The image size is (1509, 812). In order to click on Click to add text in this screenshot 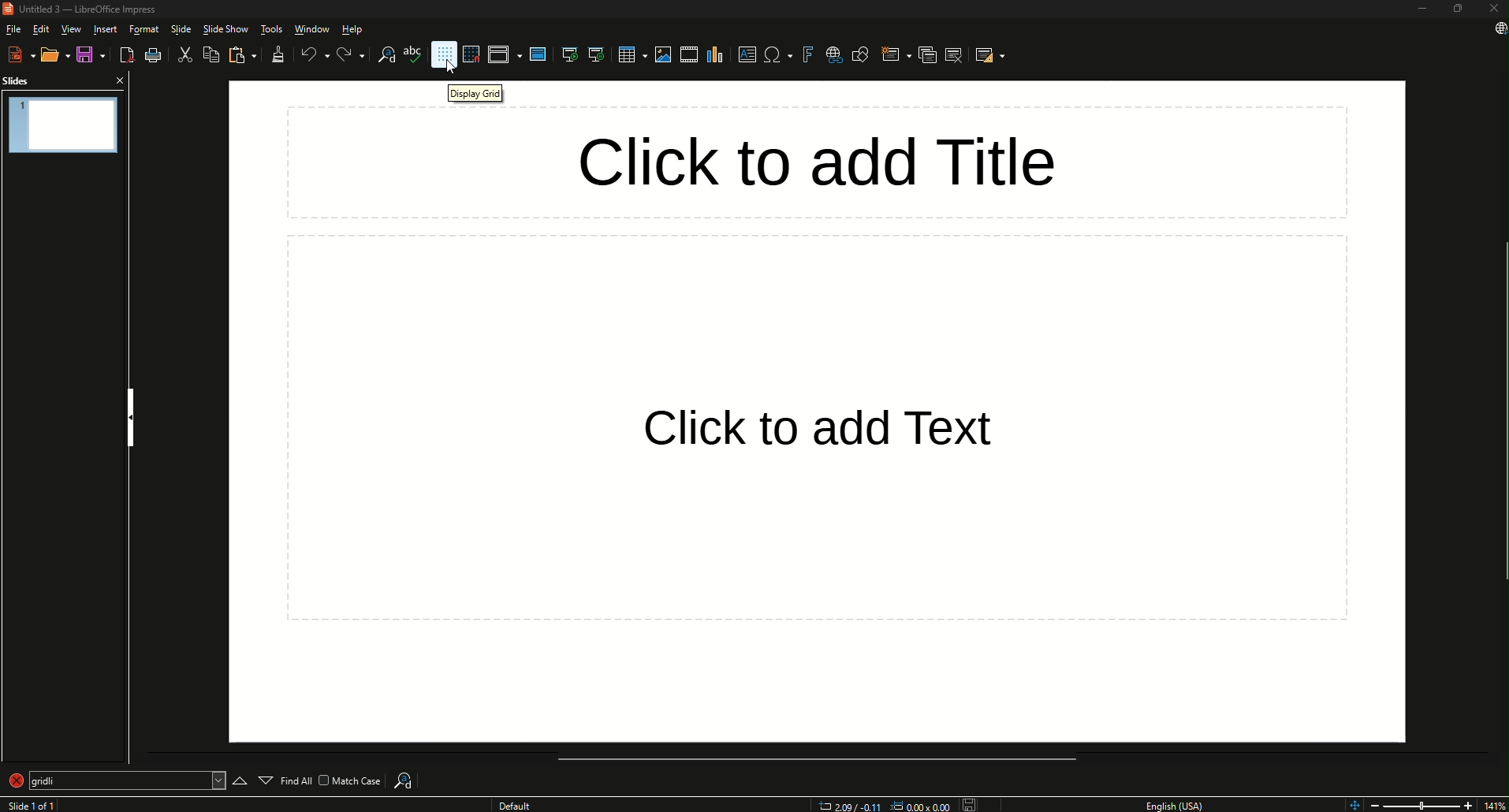, I will do `click(818, 430)`.